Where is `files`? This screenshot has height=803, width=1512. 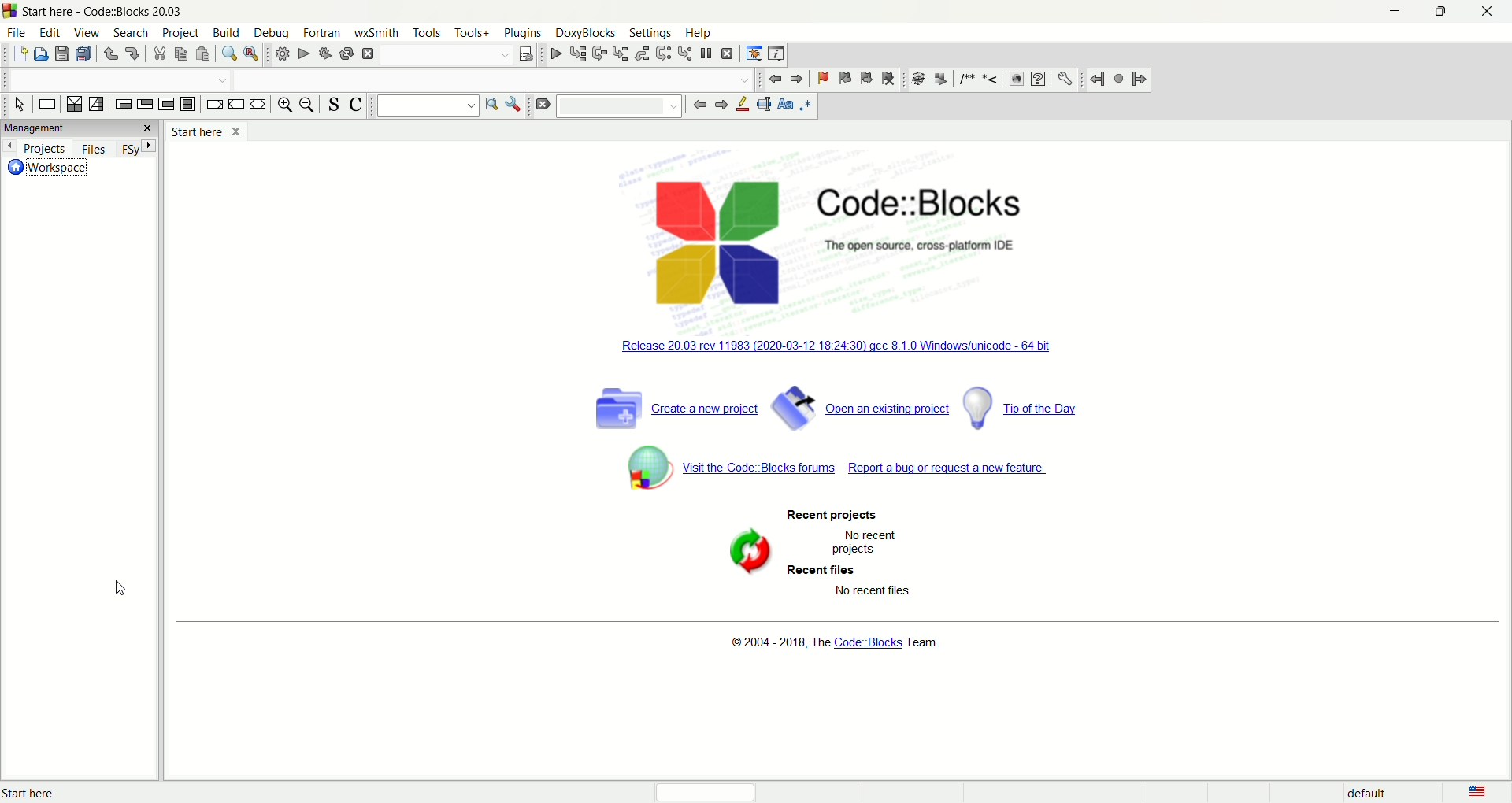
files is located at coordinates (94, 149).